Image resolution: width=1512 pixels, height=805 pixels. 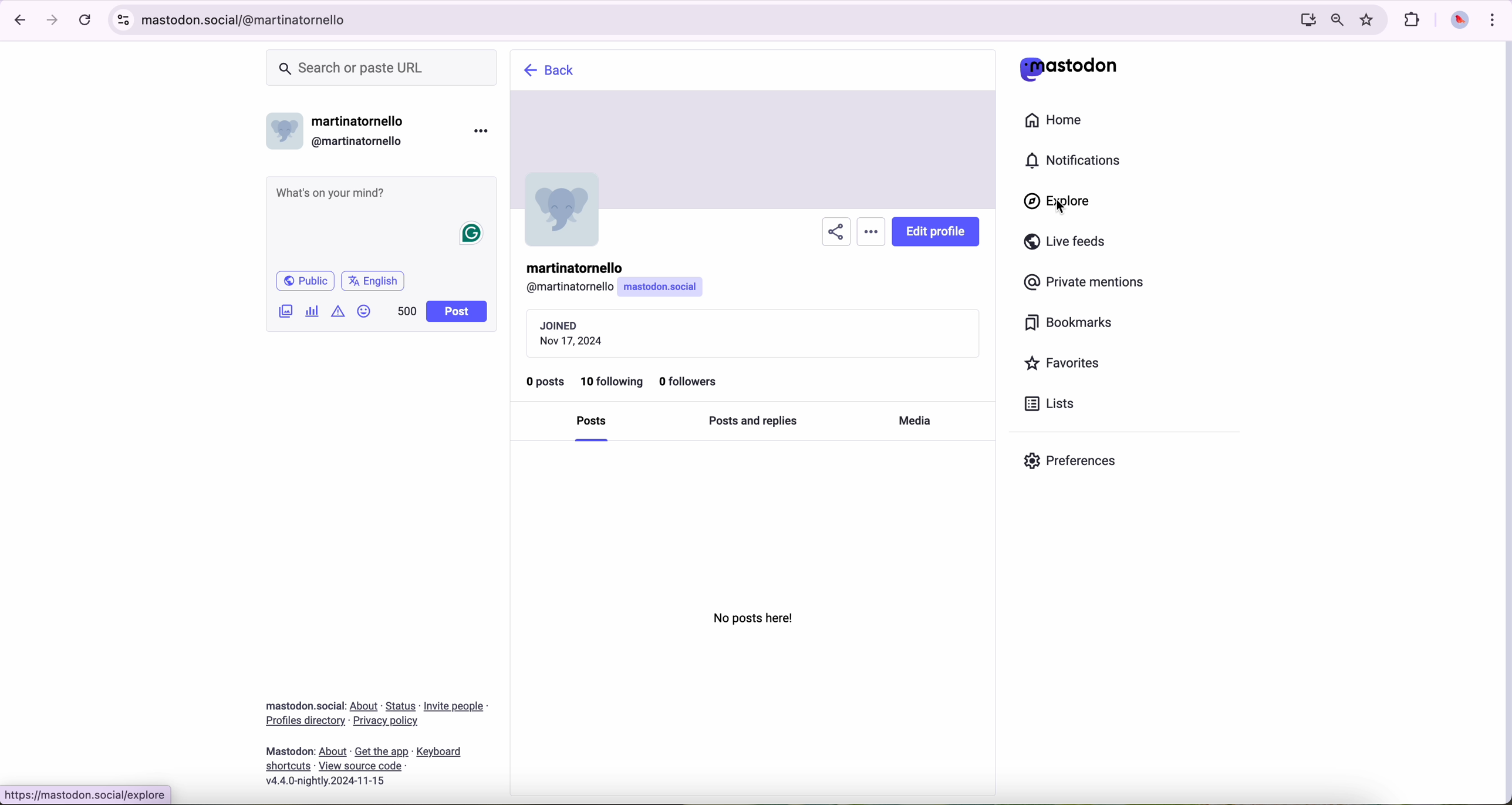 What do you see at coordinates (54, 21) in the screenshot?
I see `navigate foward` at bounding box center [54, 21].